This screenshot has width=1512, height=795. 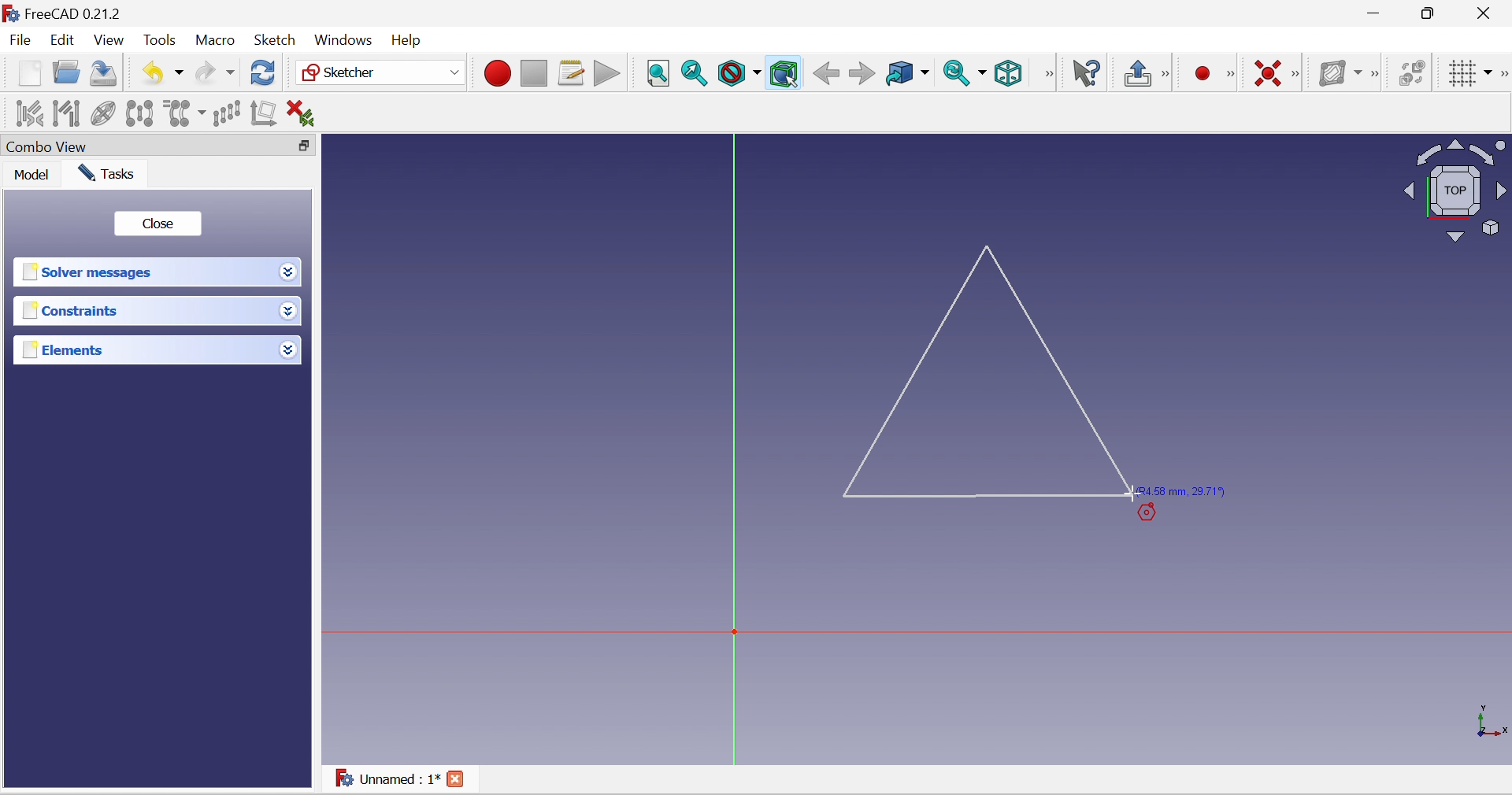 I want to click on Close, so click(x=1488, y=12).